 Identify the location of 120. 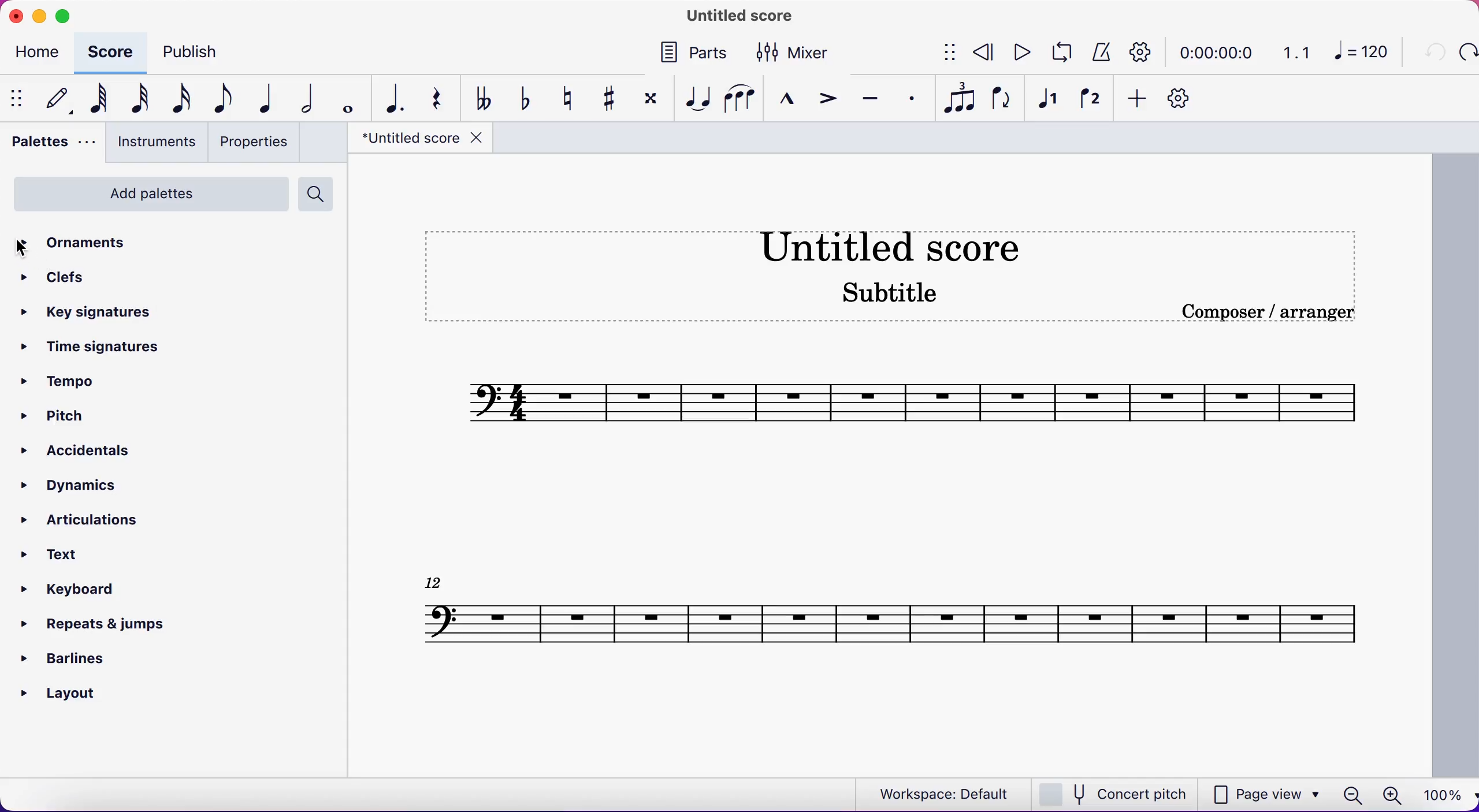
(1365, 54).